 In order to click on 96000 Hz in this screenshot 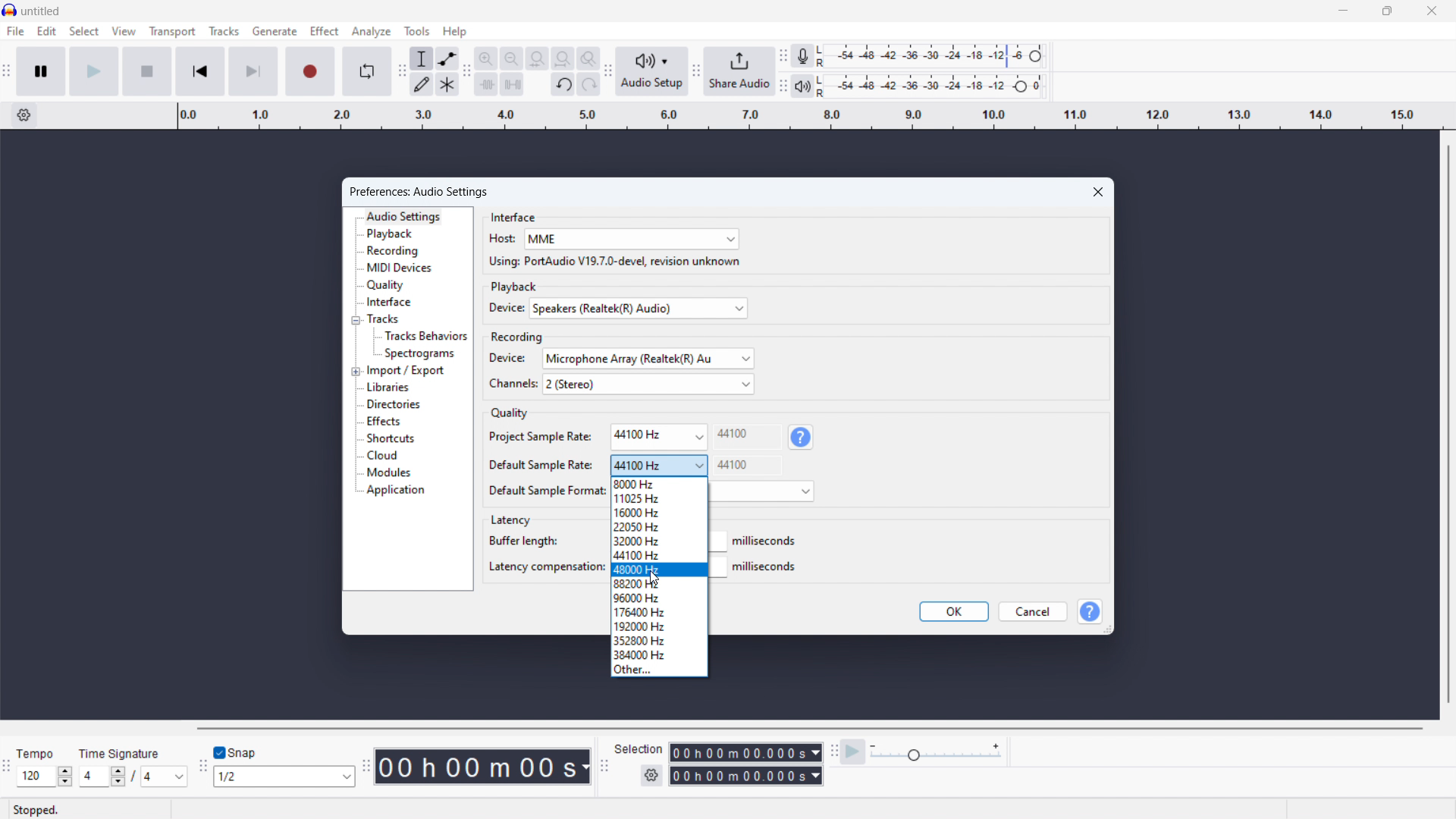, I will do `click(661, 598)`.